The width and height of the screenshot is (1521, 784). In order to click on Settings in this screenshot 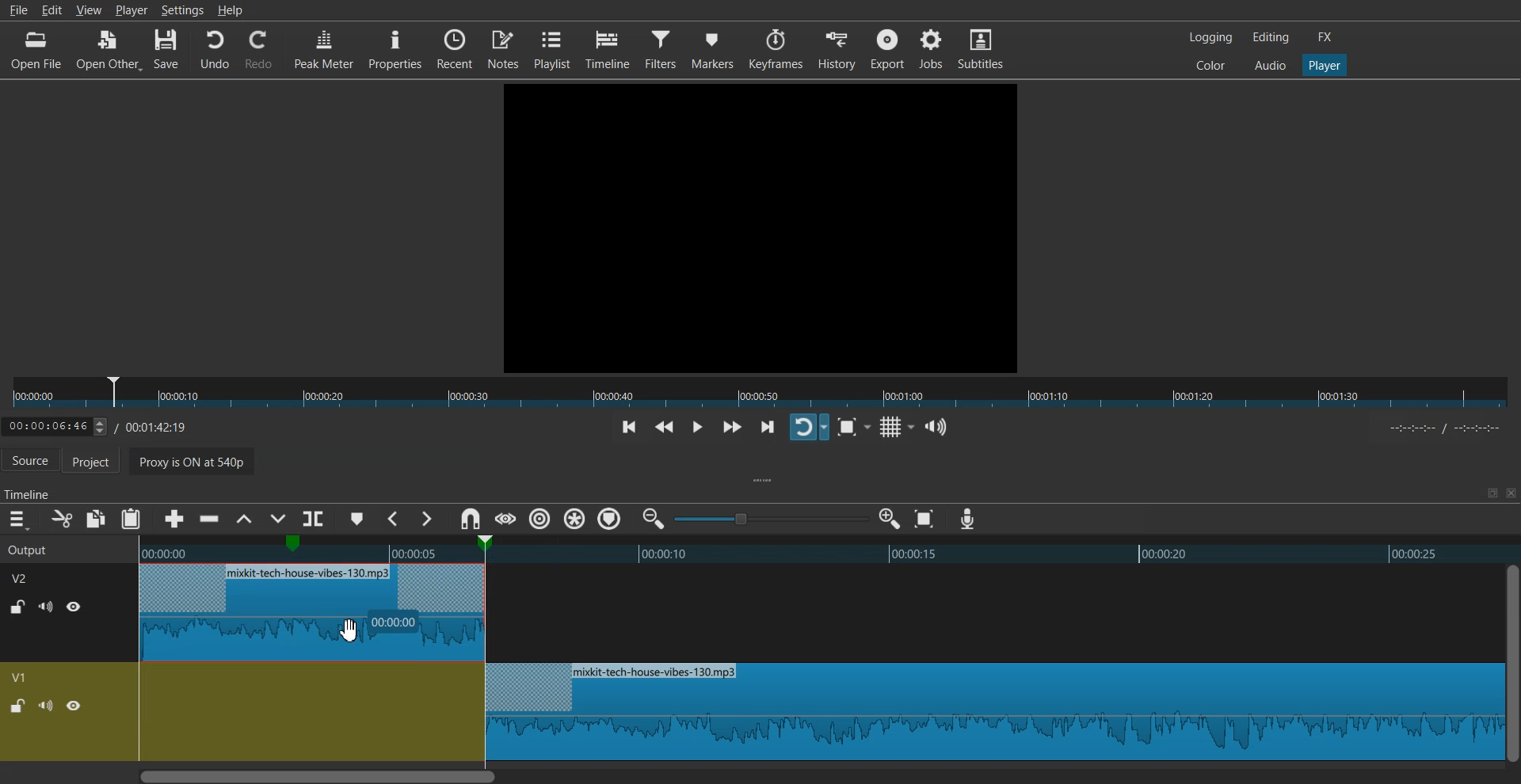, I will do `click(182, 10)`.